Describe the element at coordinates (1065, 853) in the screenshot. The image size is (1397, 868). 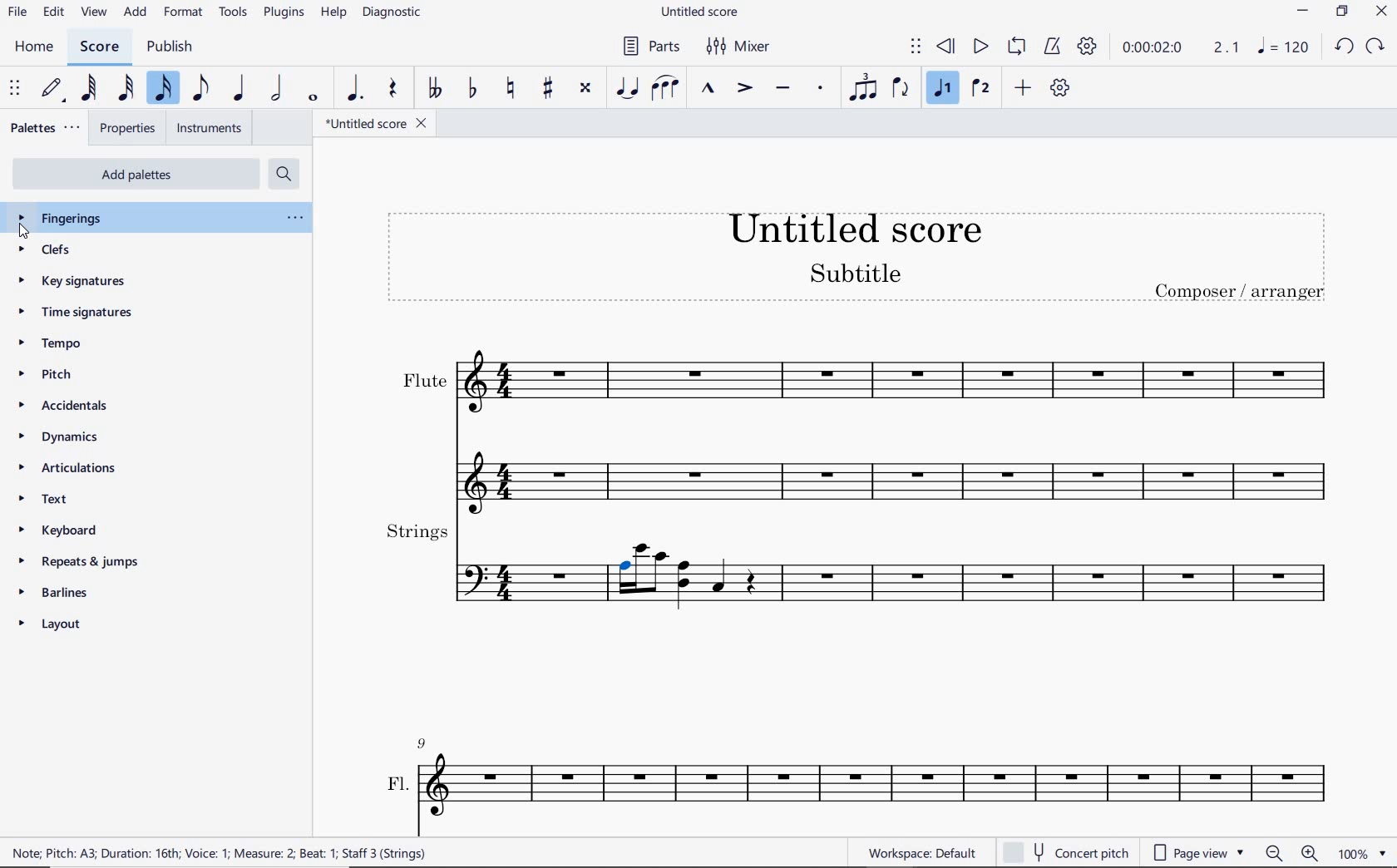
I see `concert pitch` at that location.